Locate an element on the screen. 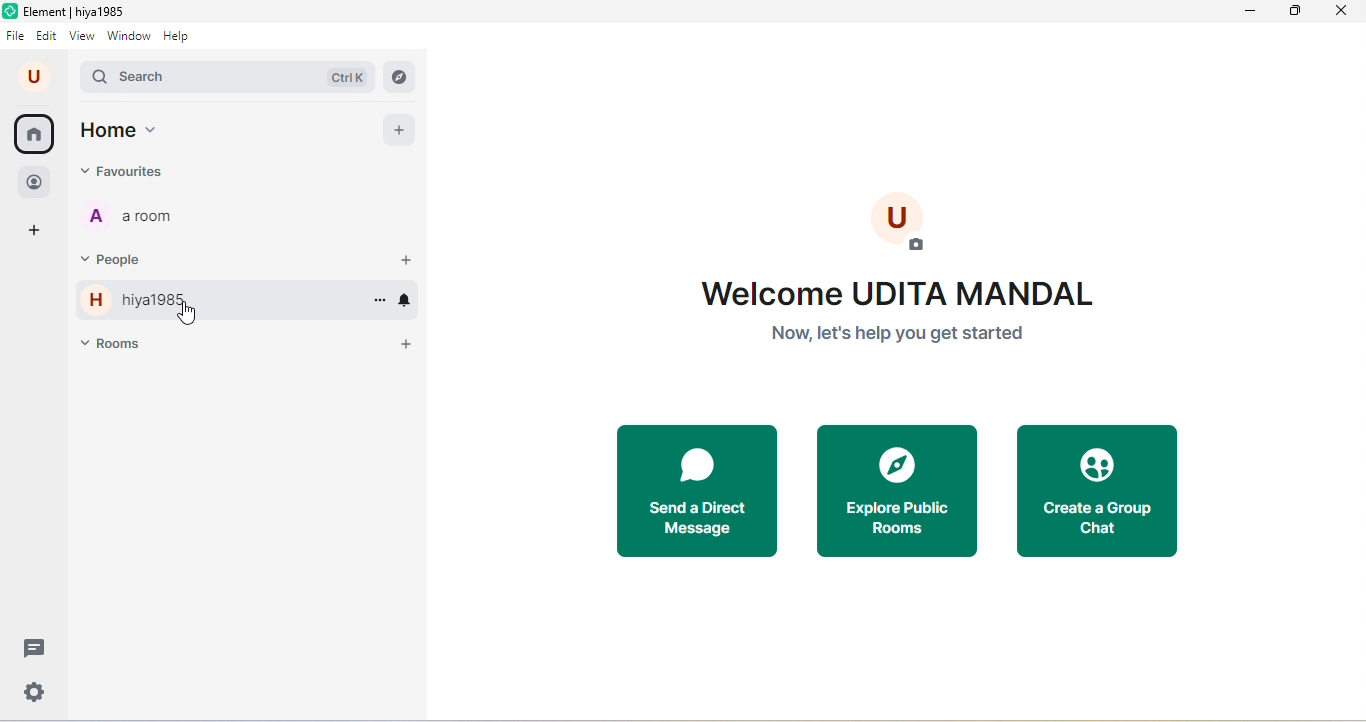 This screenshot has width=1366, height=722. edit is located at coordinates (48, 38).